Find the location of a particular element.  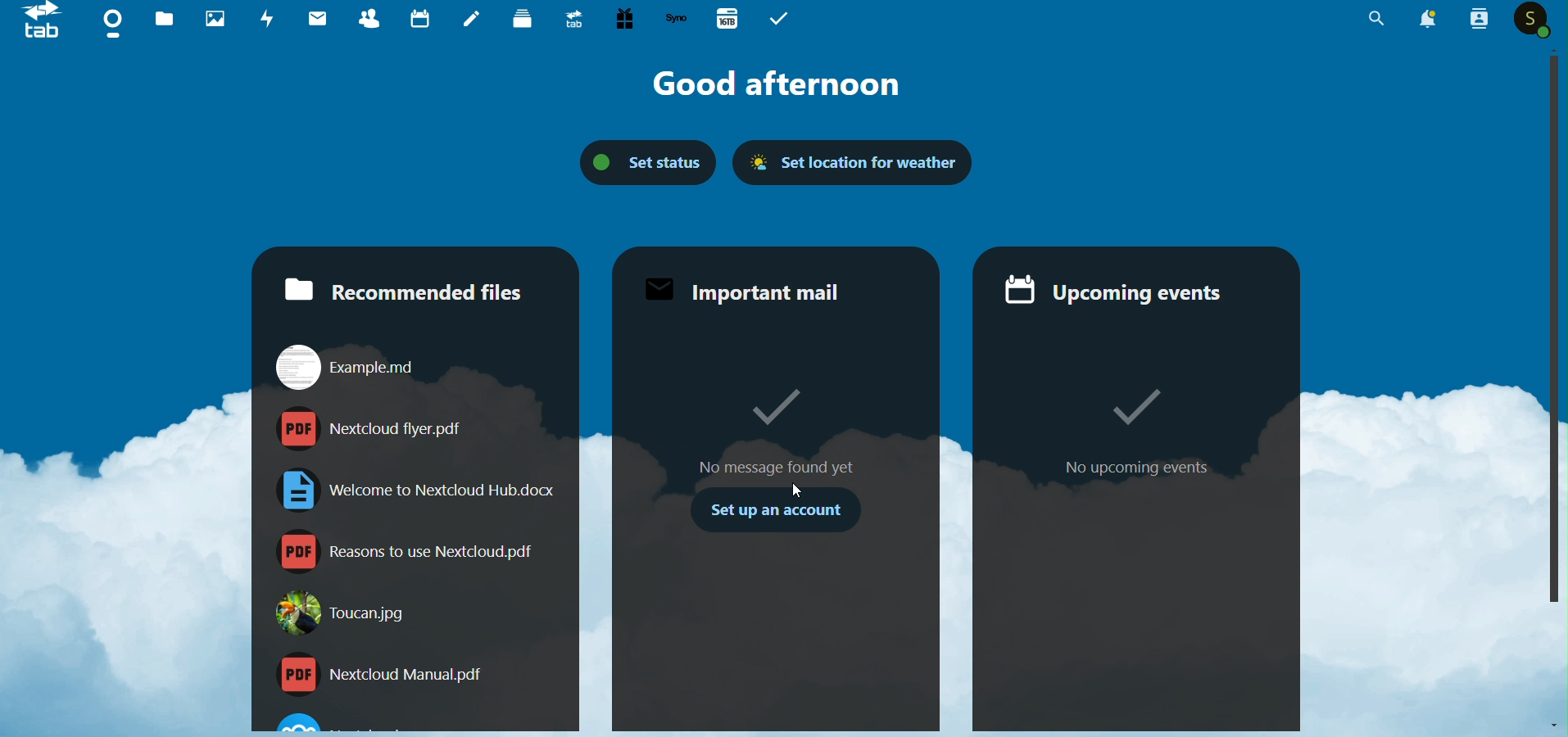

Welcome to Nextcloud Hub.docx is located at coordinates (411, 490).